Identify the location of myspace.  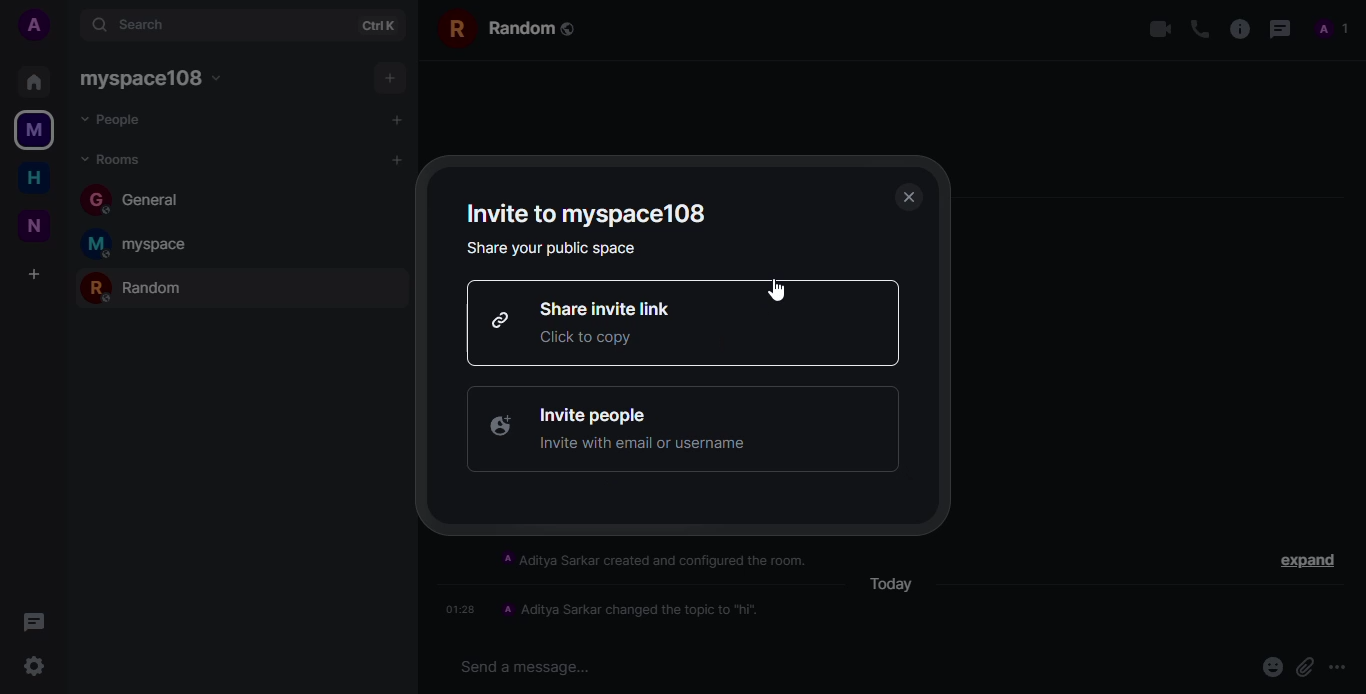
(148, 245).